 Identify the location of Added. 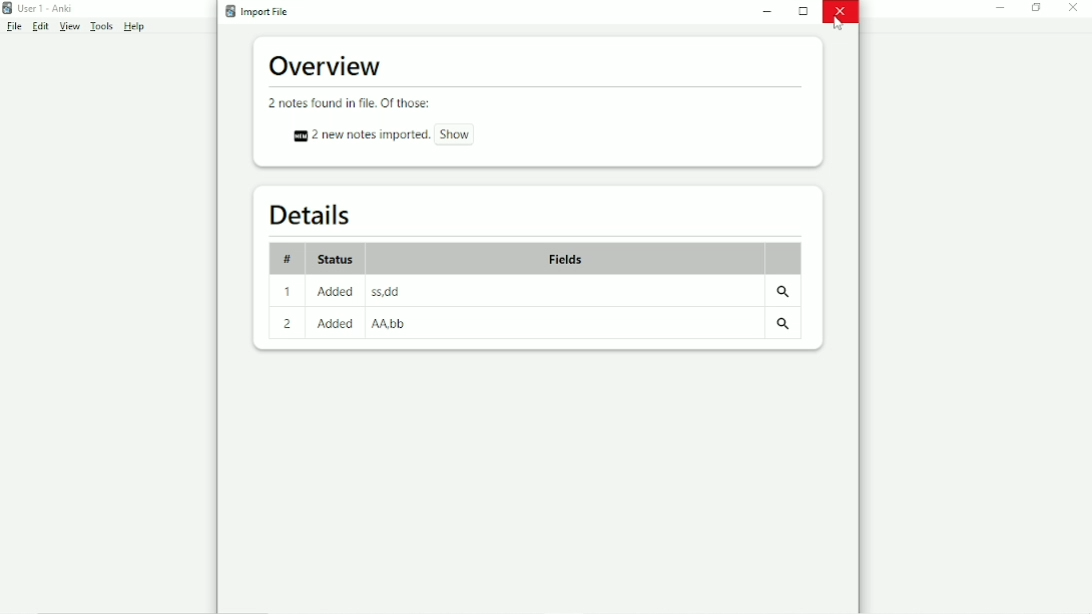
(334, 325).